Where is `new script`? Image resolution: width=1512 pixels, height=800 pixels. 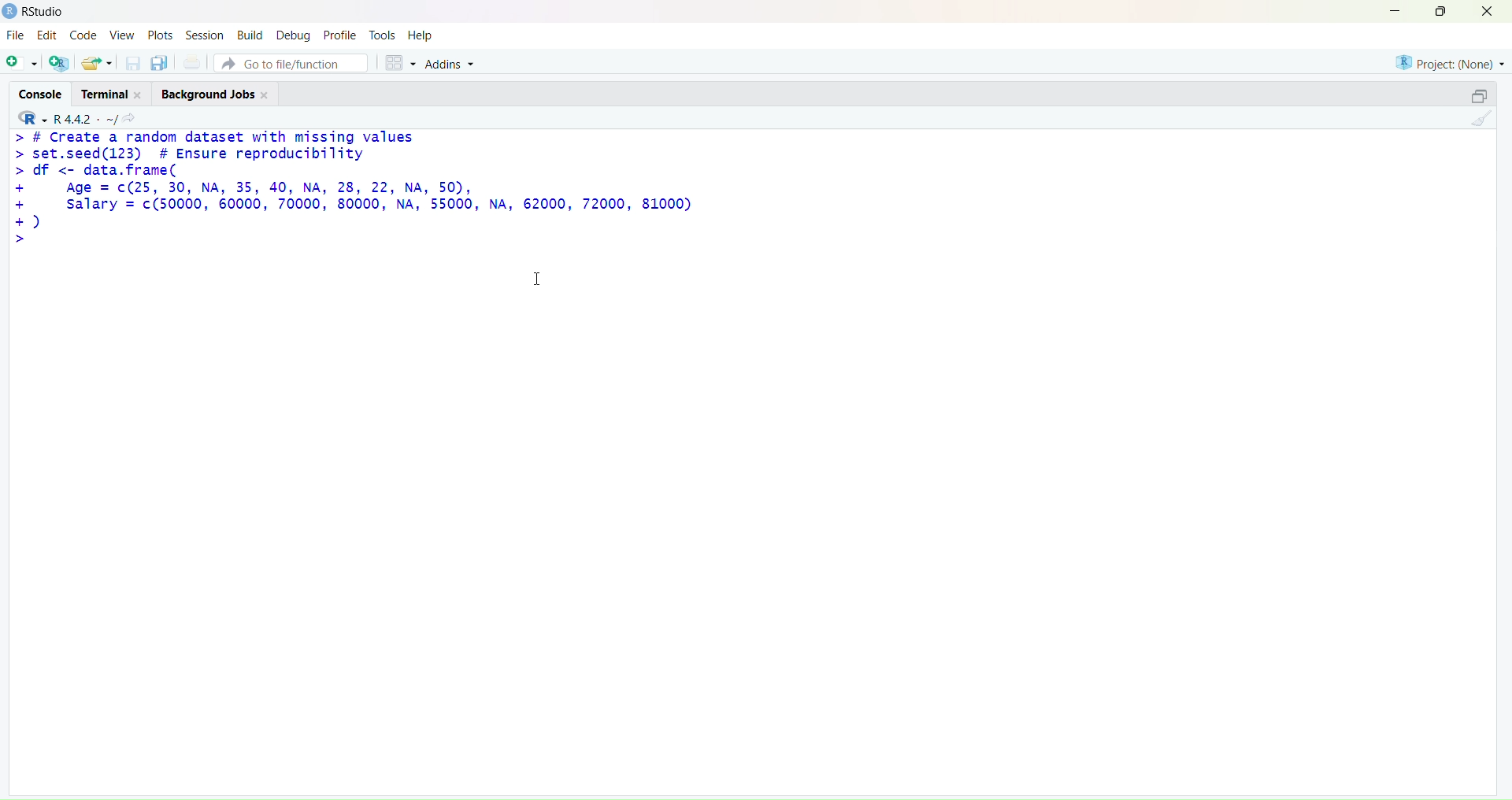
new script is located at coordinates (20, 65).